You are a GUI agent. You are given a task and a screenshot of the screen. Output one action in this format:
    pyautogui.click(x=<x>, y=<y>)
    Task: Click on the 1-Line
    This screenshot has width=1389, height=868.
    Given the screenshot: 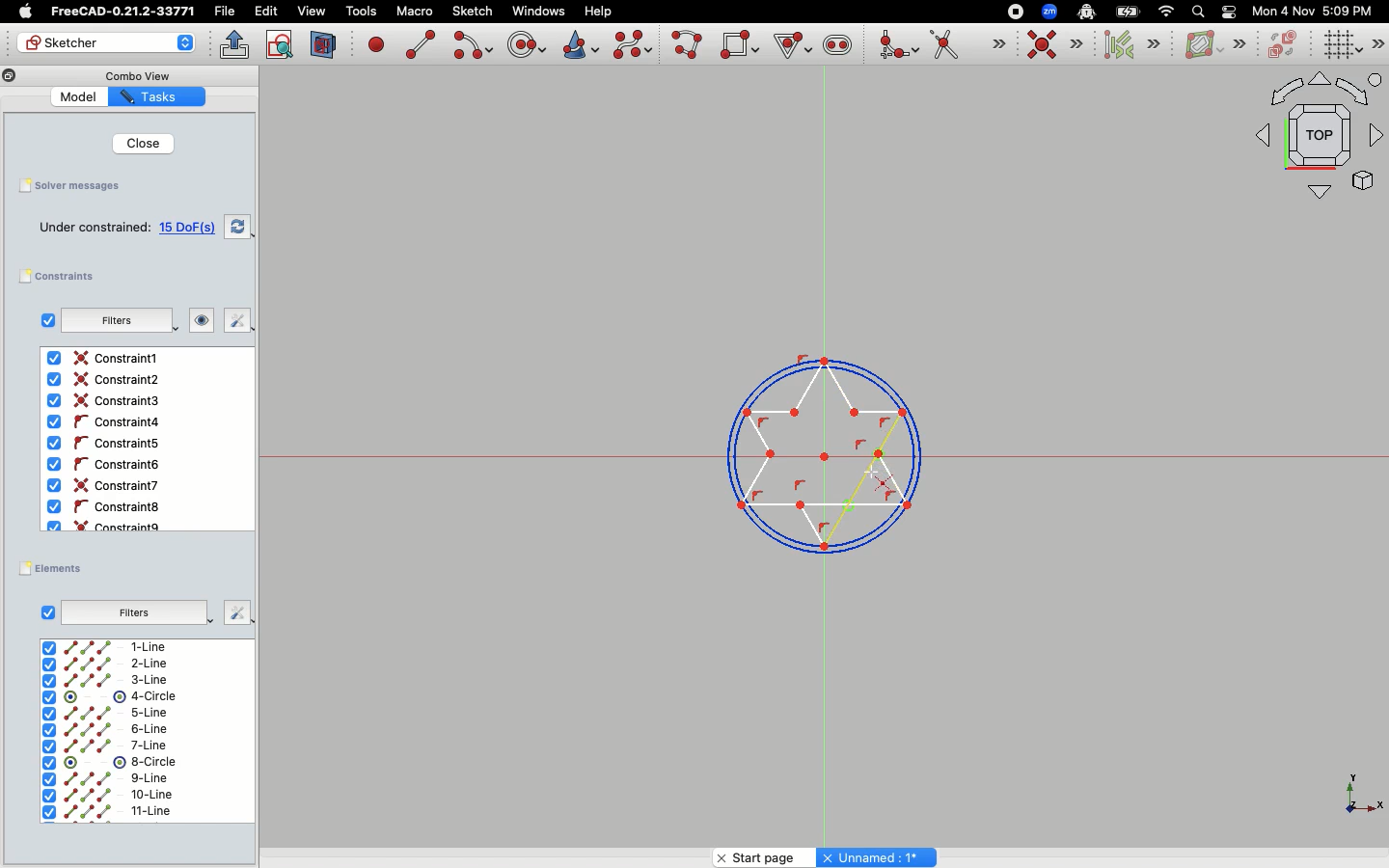 What is the action you would take?
    pyautogui.click(x=114, y=647)
    